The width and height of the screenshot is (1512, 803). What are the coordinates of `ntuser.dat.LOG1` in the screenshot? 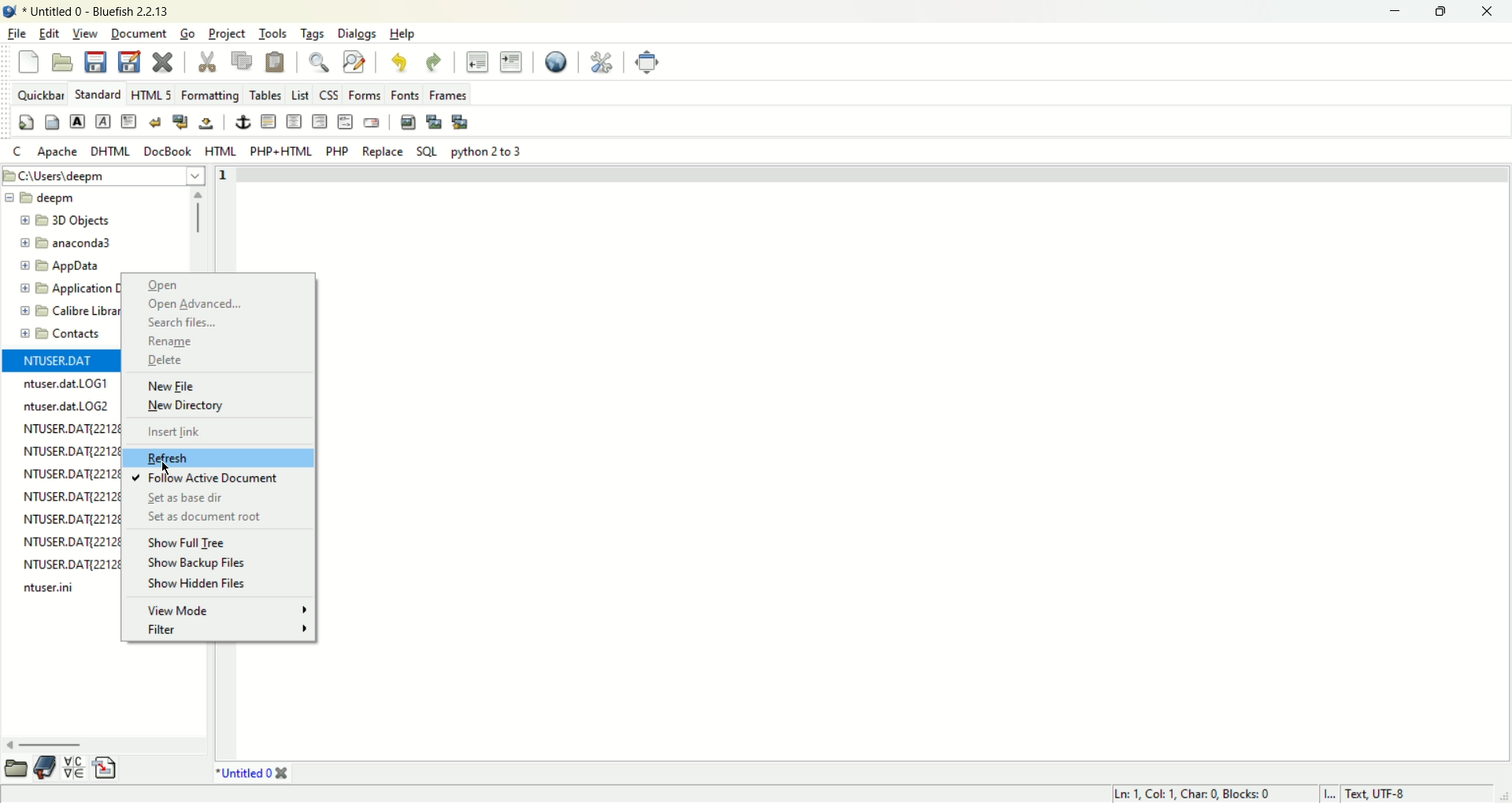 It's located at (67, 384).